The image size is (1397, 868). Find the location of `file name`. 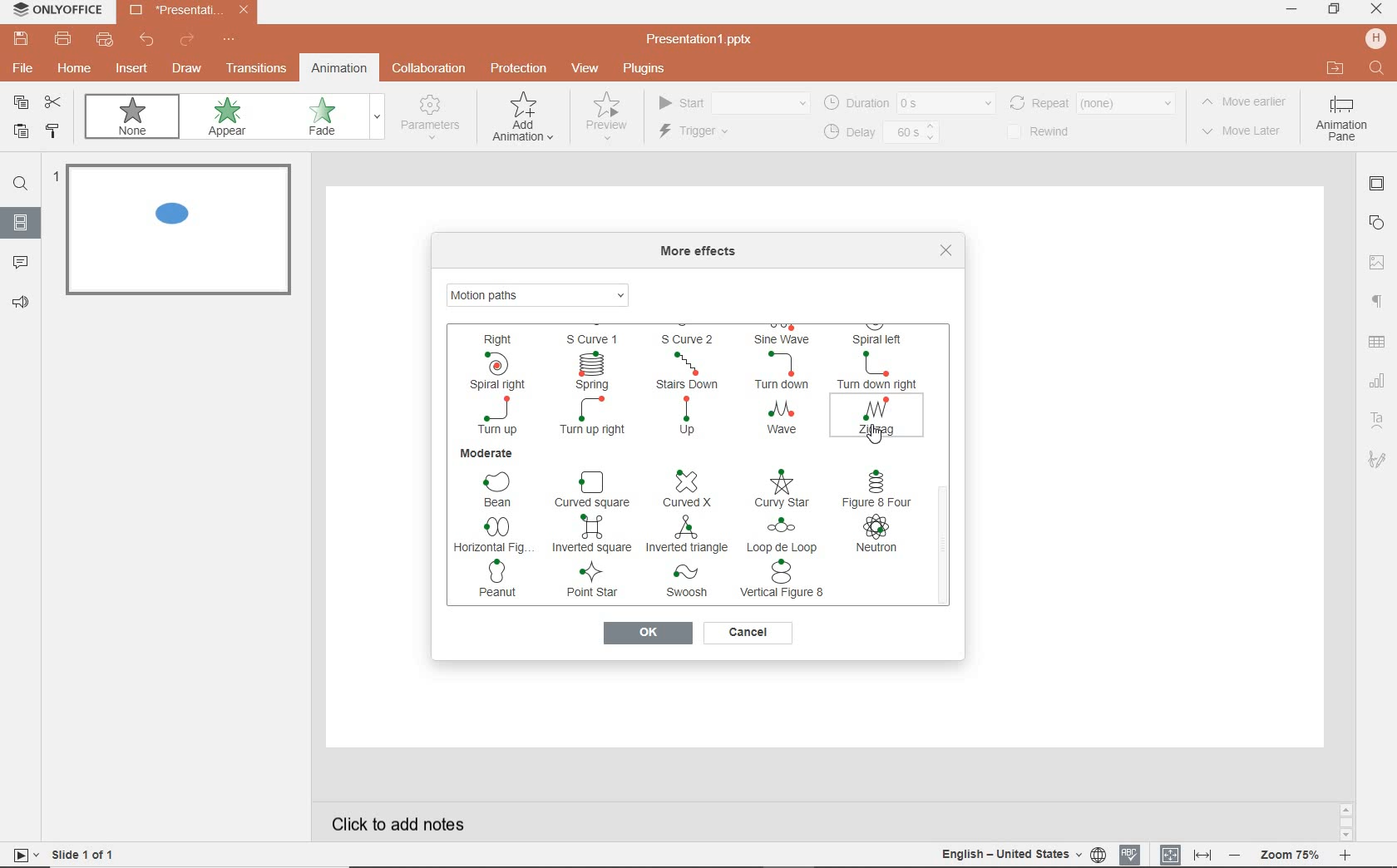

file name is located at coordinates (705, 40).